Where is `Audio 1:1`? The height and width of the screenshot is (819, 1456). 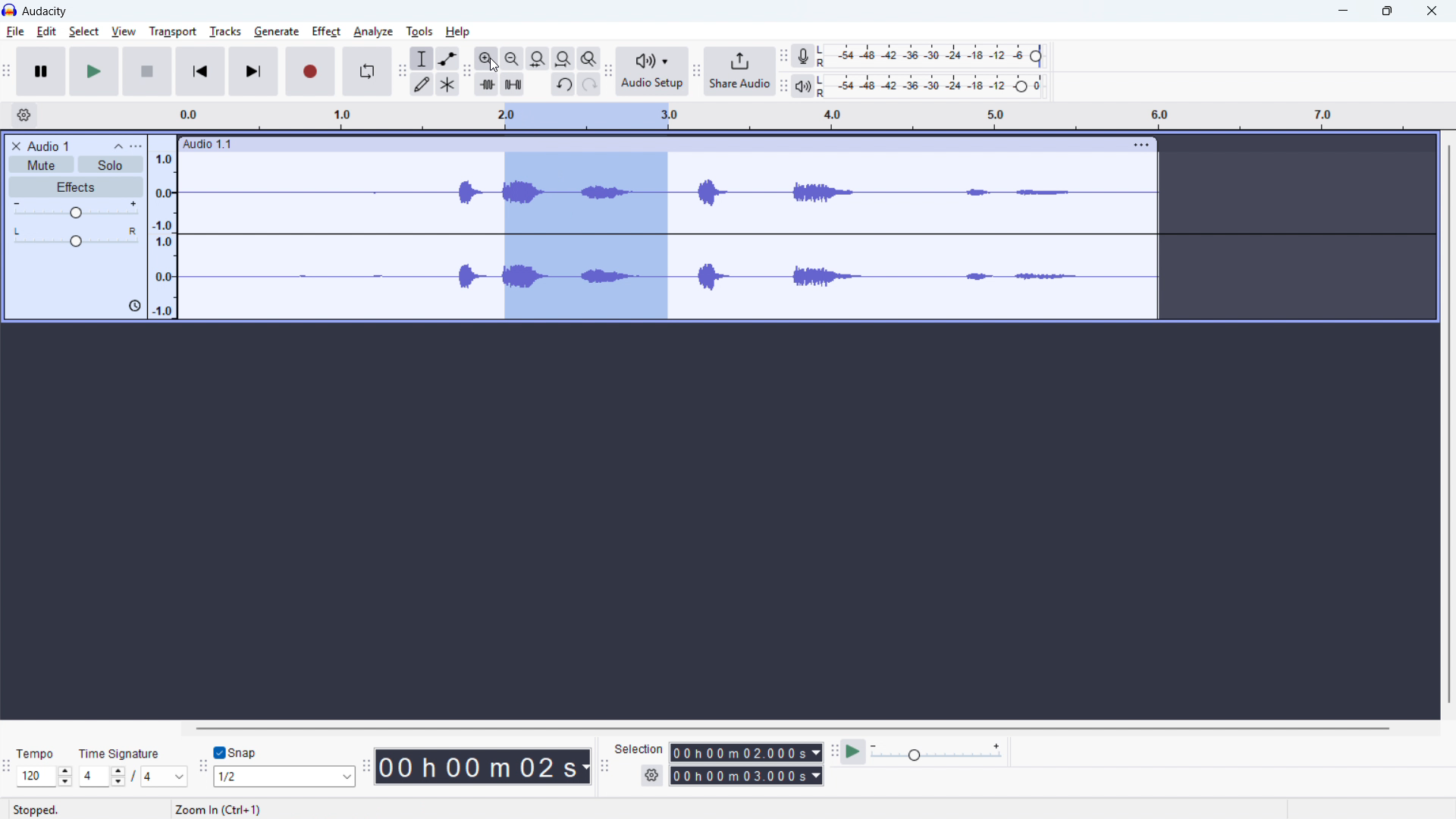
Audio 1:1 is located at coordinates (649, 144).